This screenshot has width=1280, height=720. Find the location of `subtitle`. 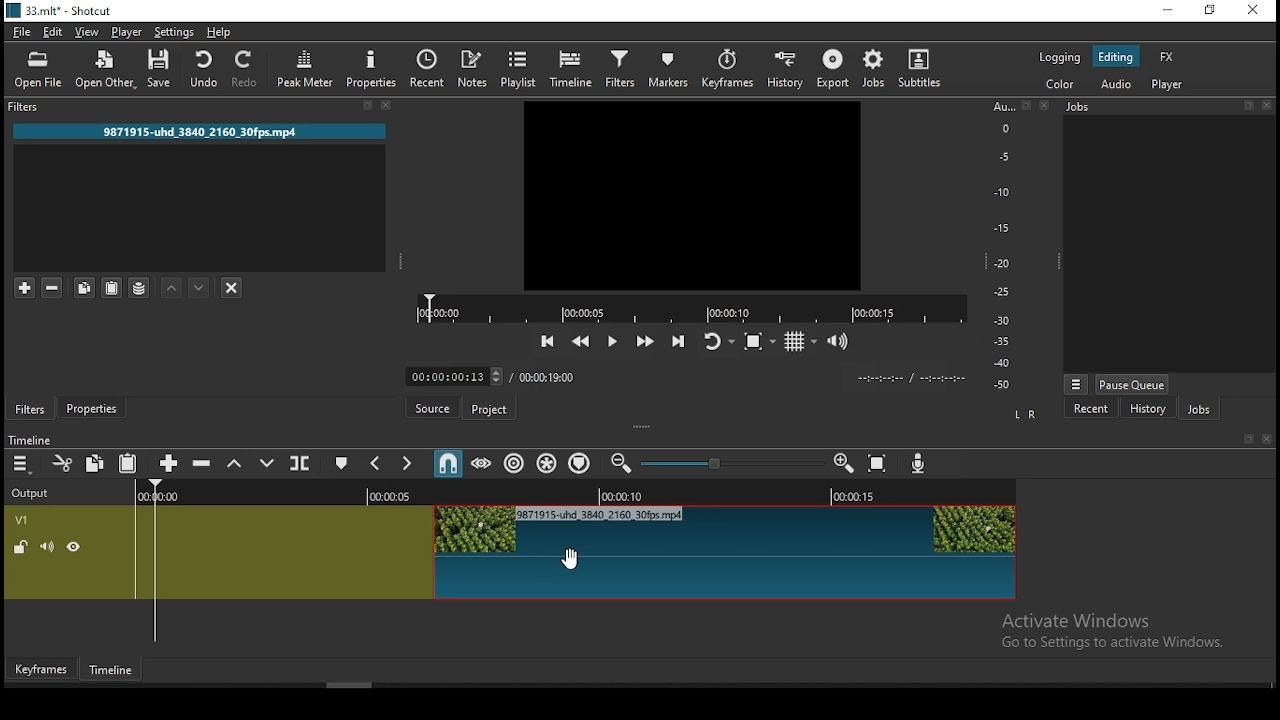

subtitle is located at coordinates (923, 68).